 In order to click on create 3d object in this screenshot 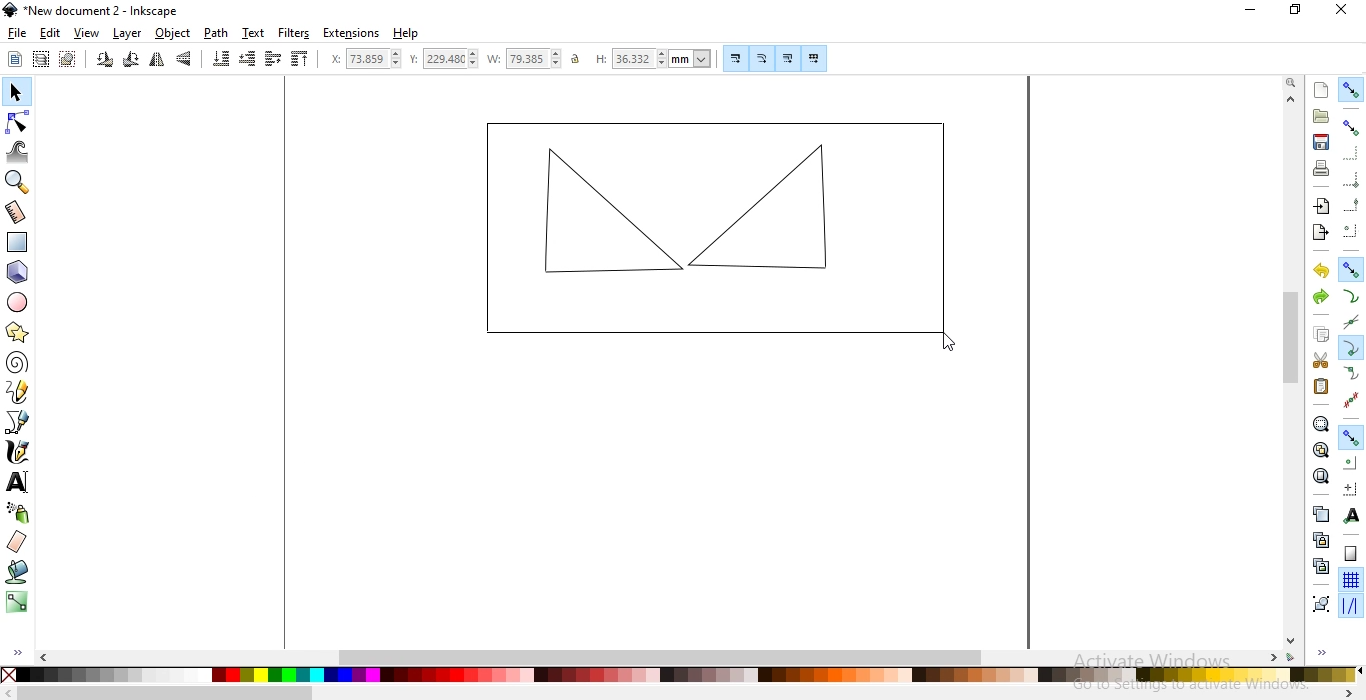, I will do `click(18, 272)`.